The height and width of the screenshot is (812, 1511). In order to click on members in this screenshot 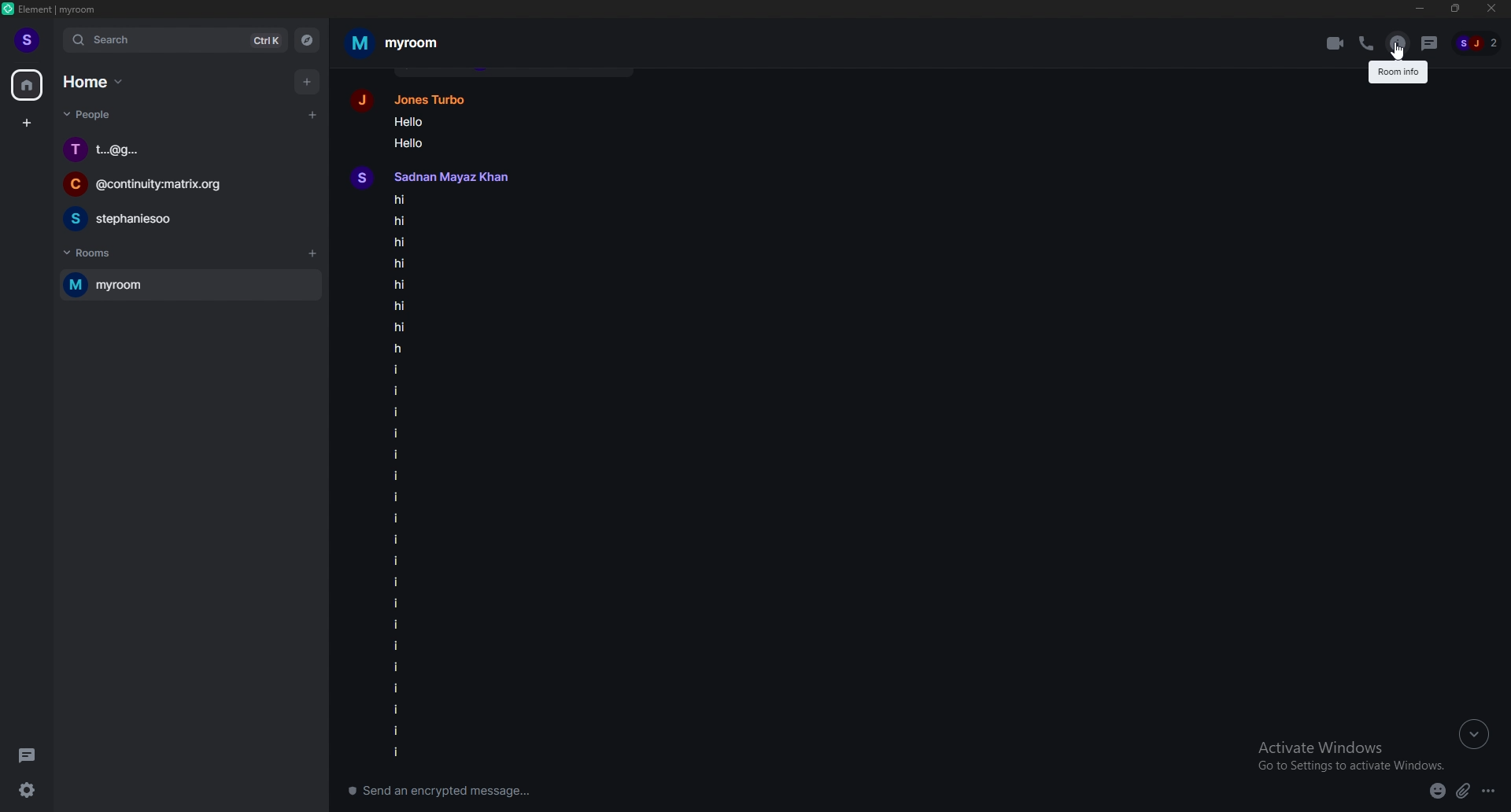, I will do `click(1477, 42)`.